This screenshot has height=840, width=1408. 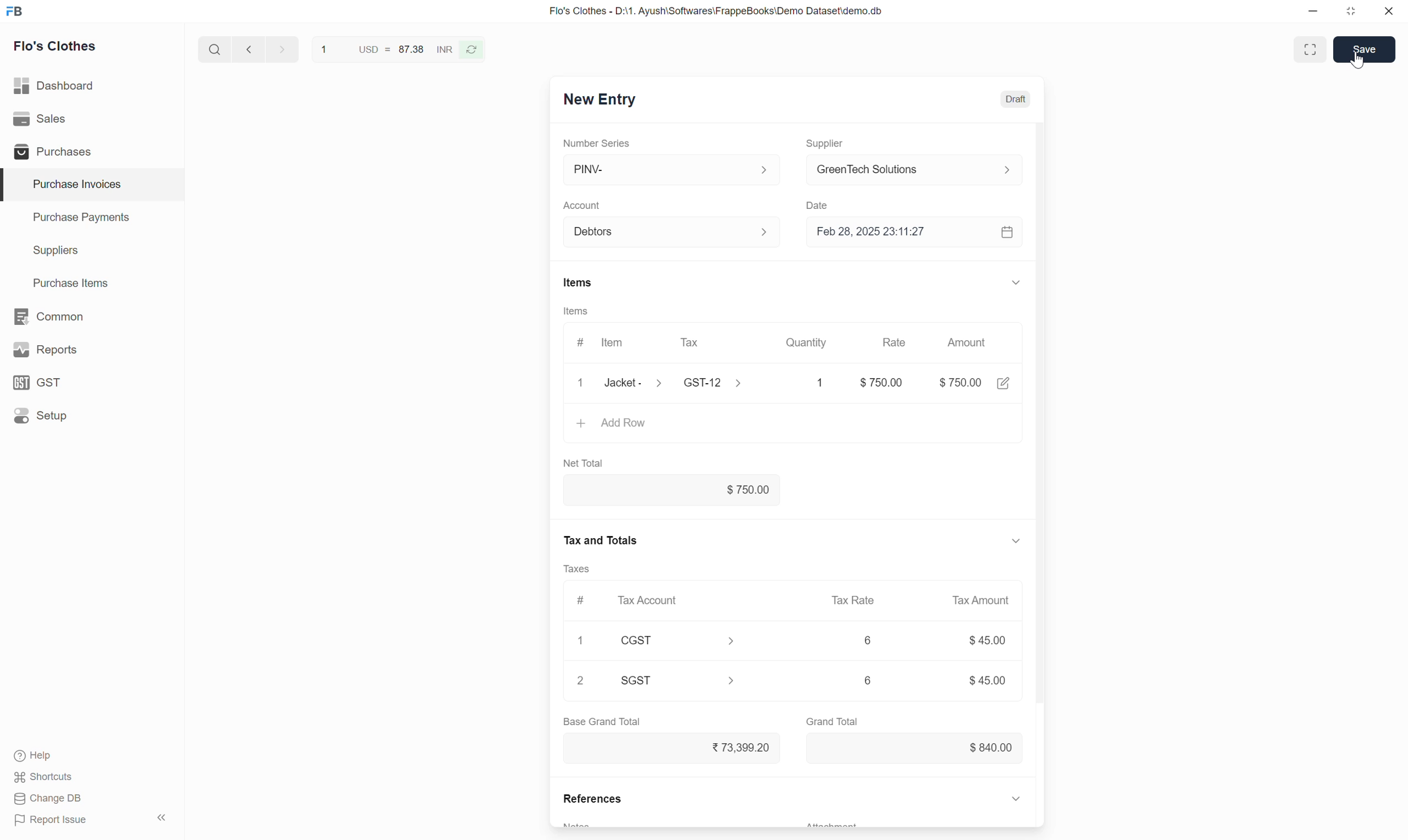 What do you see at coordinates (596, 143) in the screenshot?
I see `Number Series` at bounding box center [596, 143].